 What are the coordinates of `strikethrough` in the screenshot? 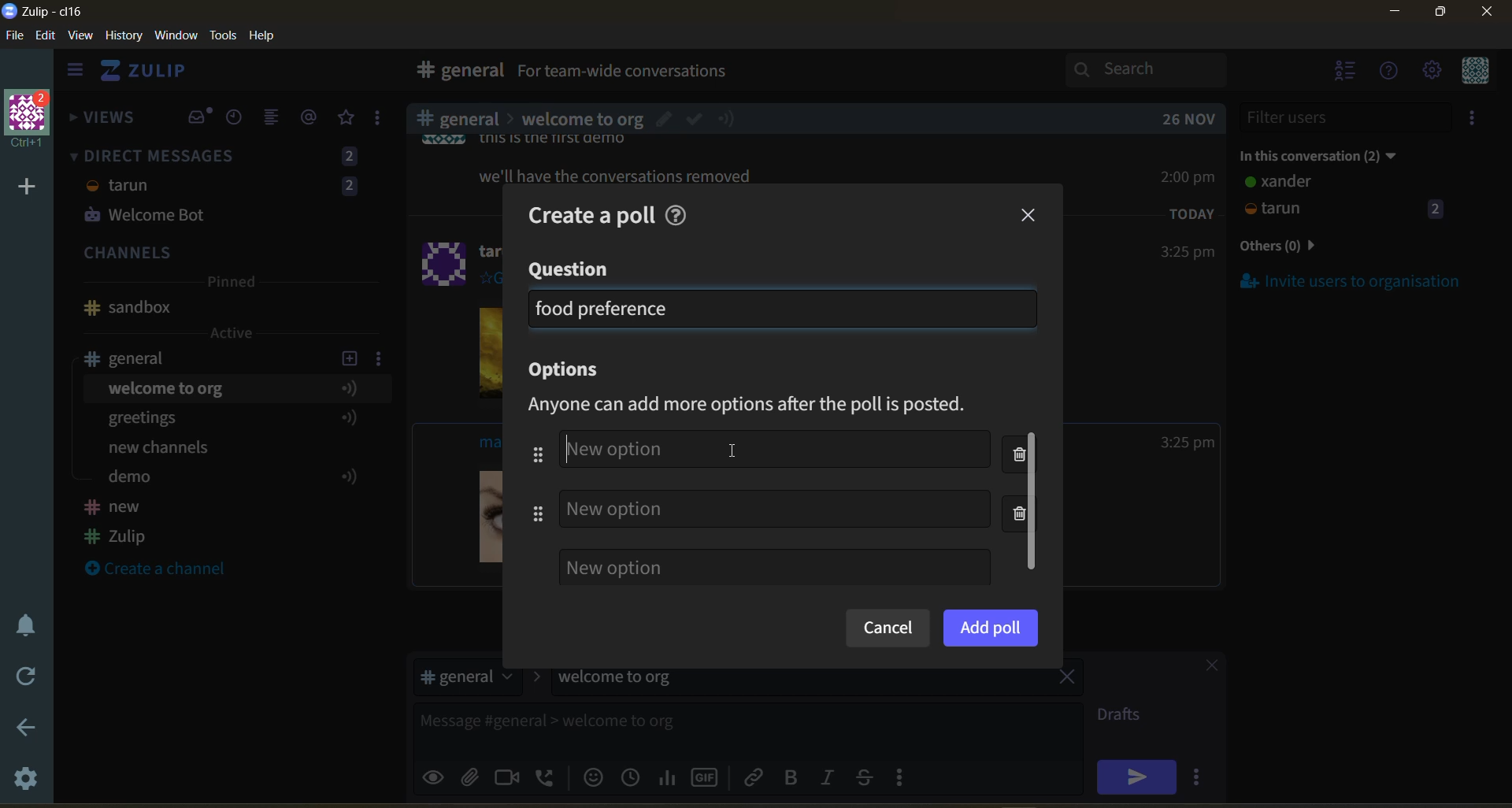 It's located at (869, 776).